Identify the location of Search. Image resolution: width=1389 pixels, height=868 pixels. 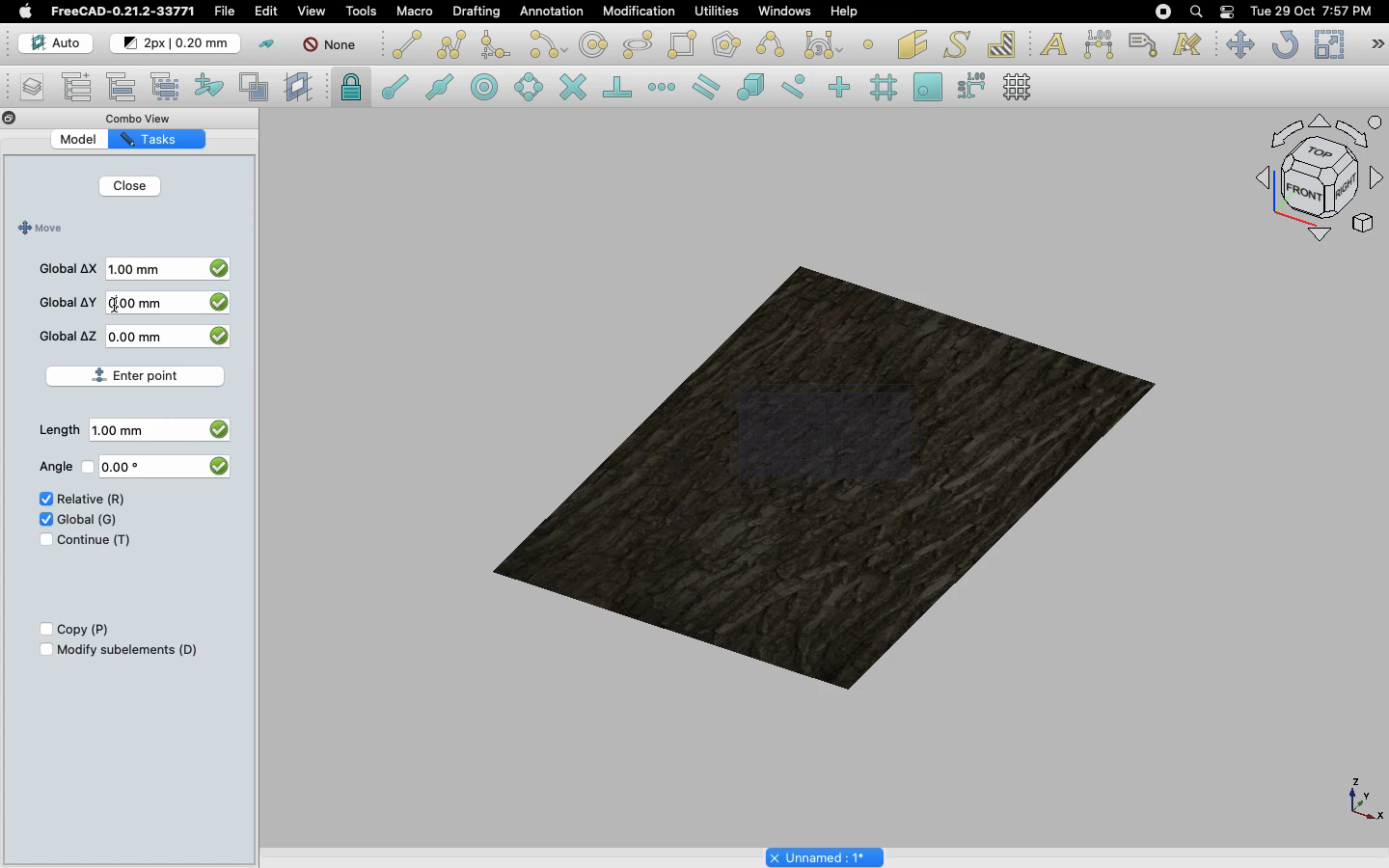
(1195, 12).